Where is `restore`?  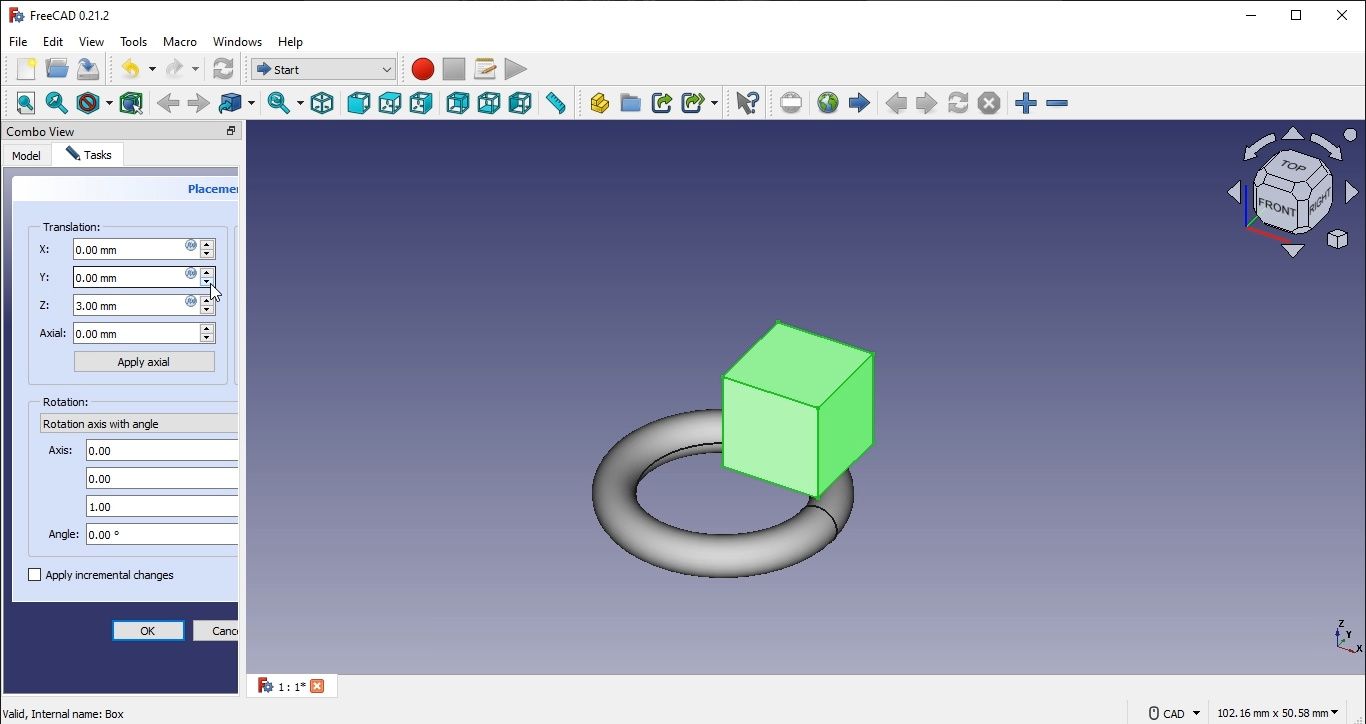 restore is located at coordinates (209, 131).